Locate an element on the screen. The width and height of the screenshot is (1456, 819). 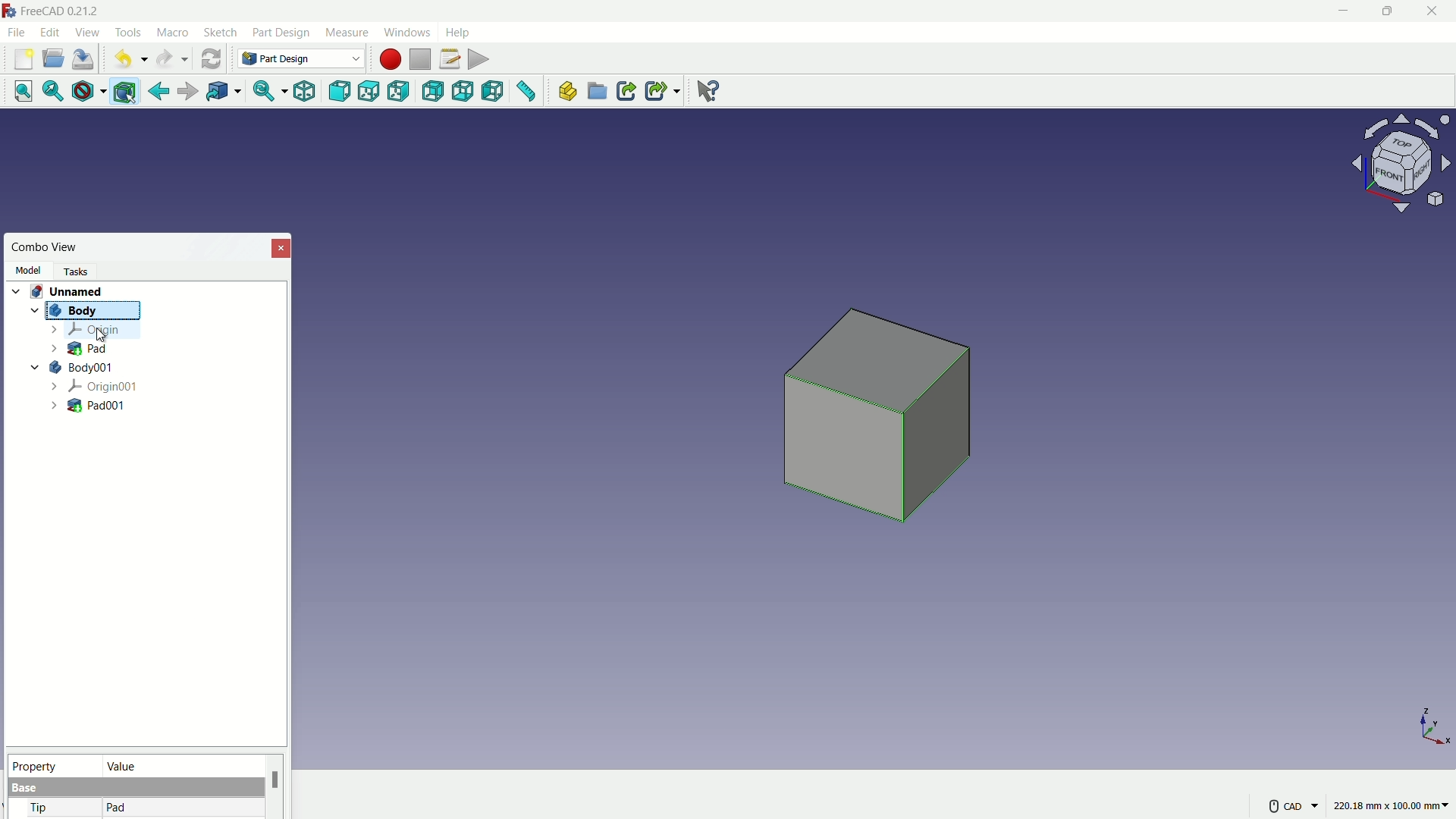
close app is located at coordinates (1433, 11).